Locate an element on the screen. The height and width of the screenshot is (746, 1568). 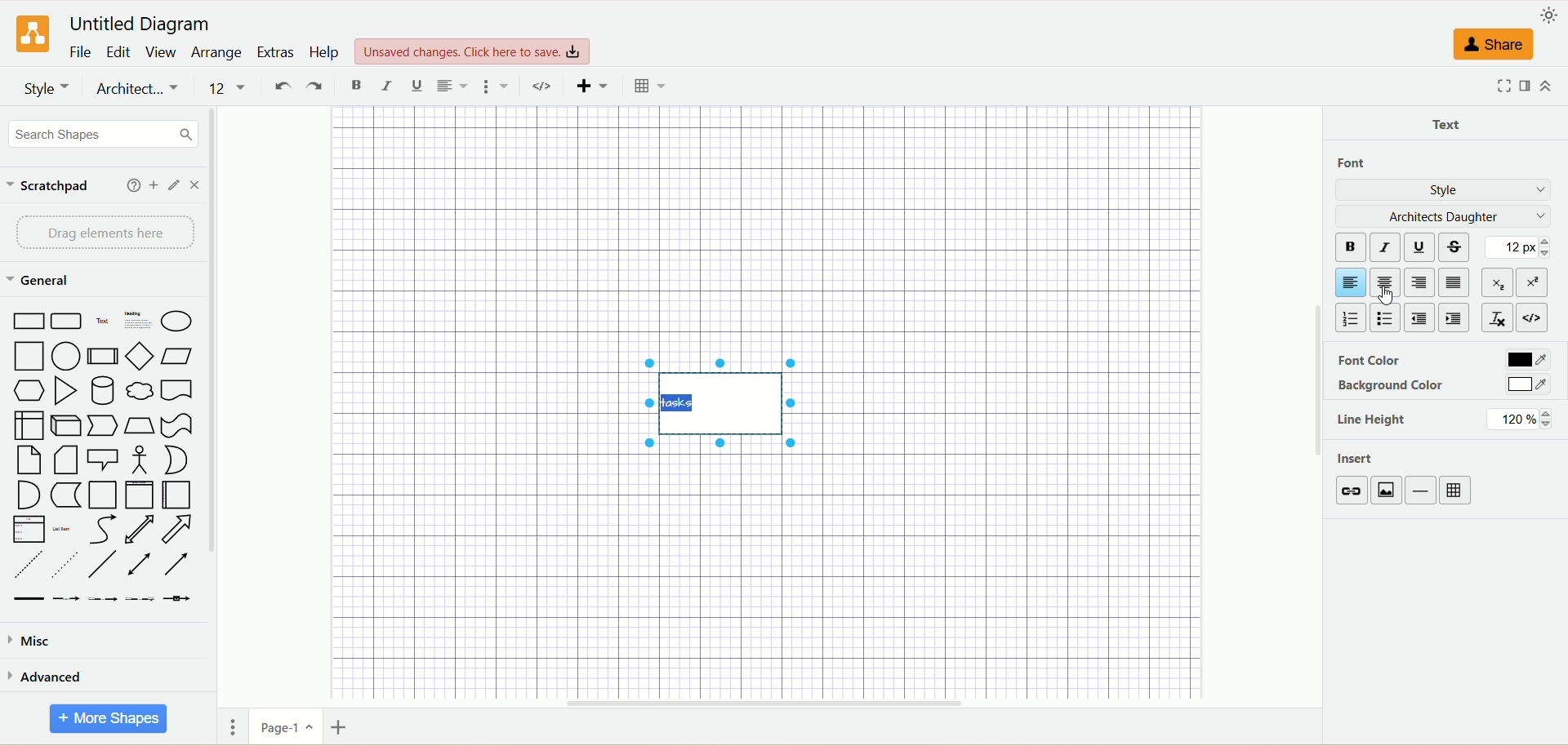
general is located at coordinates (43, 281).